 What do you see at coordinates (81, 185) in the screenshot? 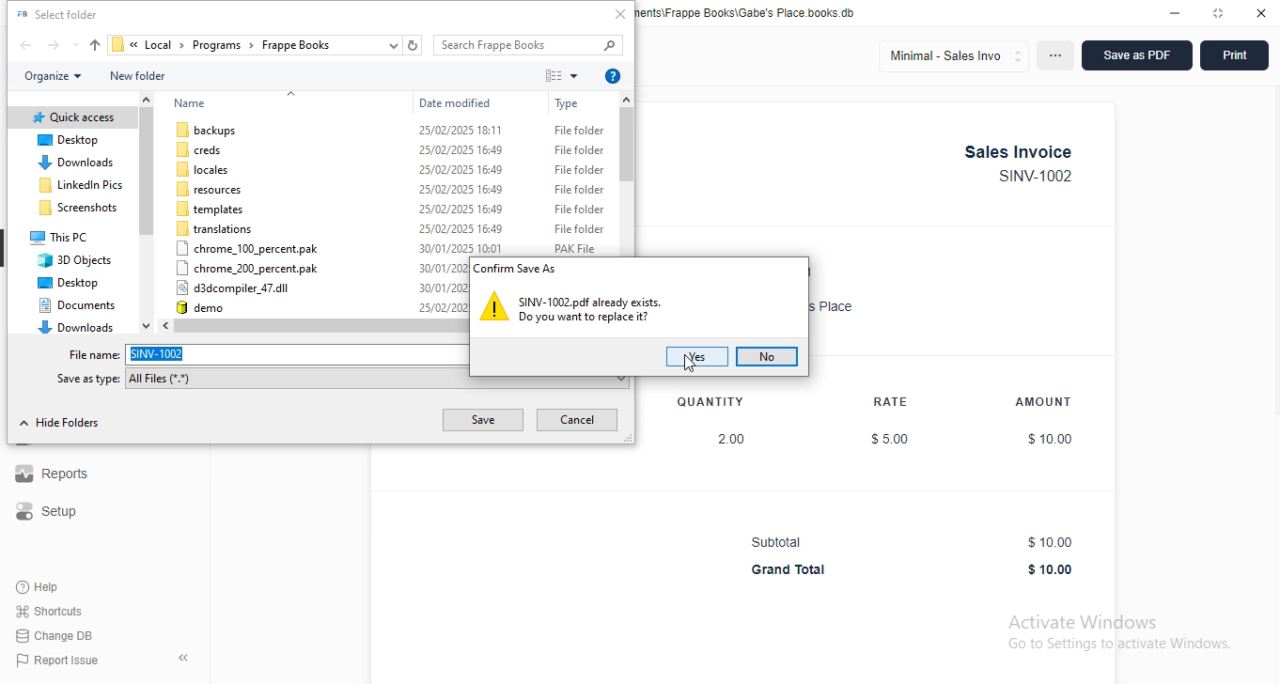
I see `linkedIn pics` at bounding box center [81, 185].